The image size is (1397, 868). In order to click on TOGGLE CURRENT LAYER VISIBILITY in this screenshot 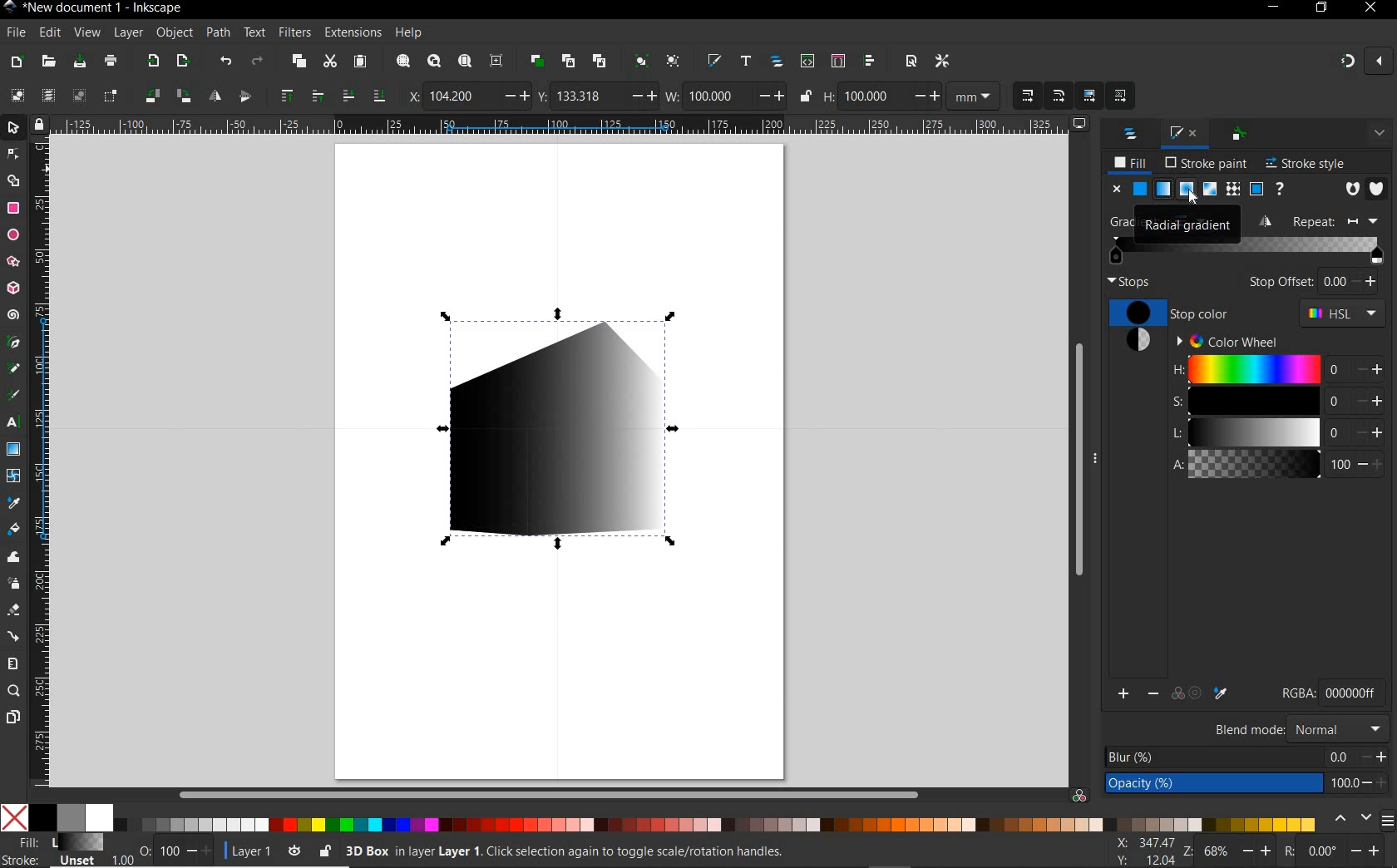, I will do `click(293, 851)`.